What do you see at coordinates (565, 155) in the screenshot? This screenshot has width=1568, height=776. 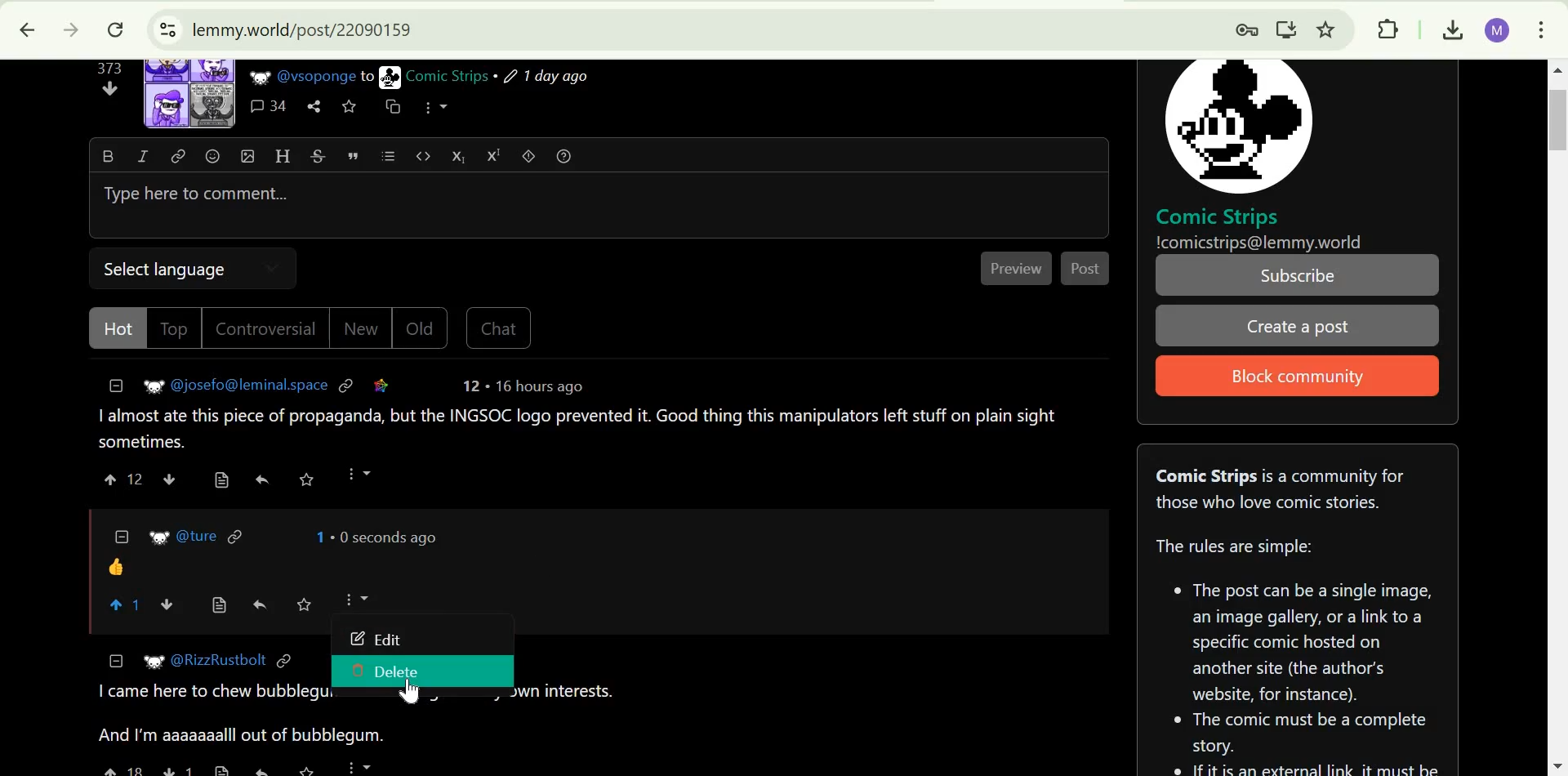 I see `formatting help` at bounding box center [565, 155].